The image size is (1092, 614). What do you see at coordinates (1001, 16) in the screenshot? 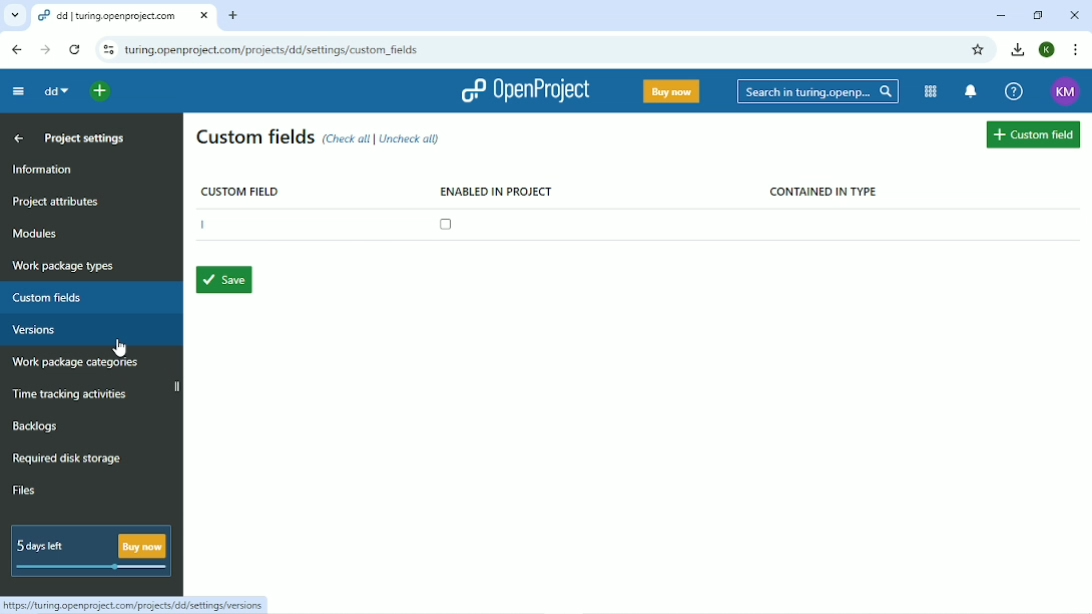
I see `Minimize` at bounding box center [1001, 16].